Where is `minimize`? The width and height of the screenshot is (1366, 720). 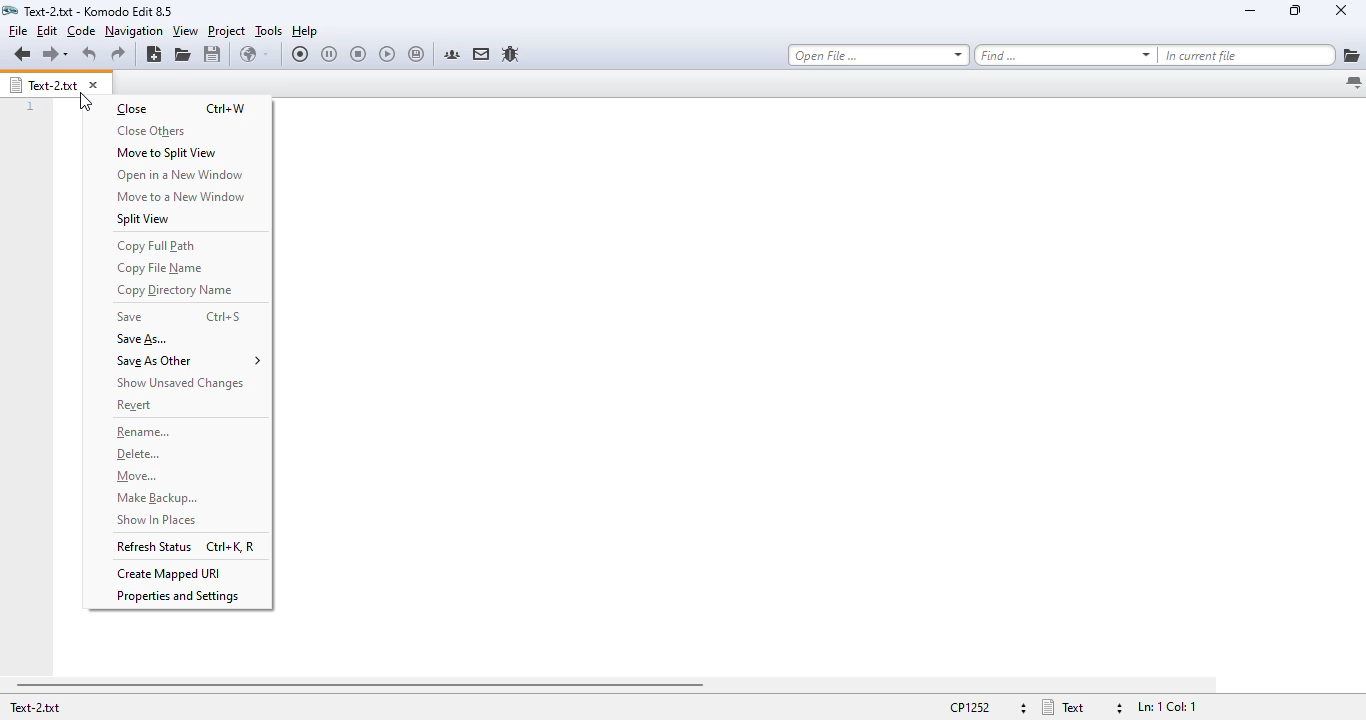
minimize is located at coordinates (1250, 11).